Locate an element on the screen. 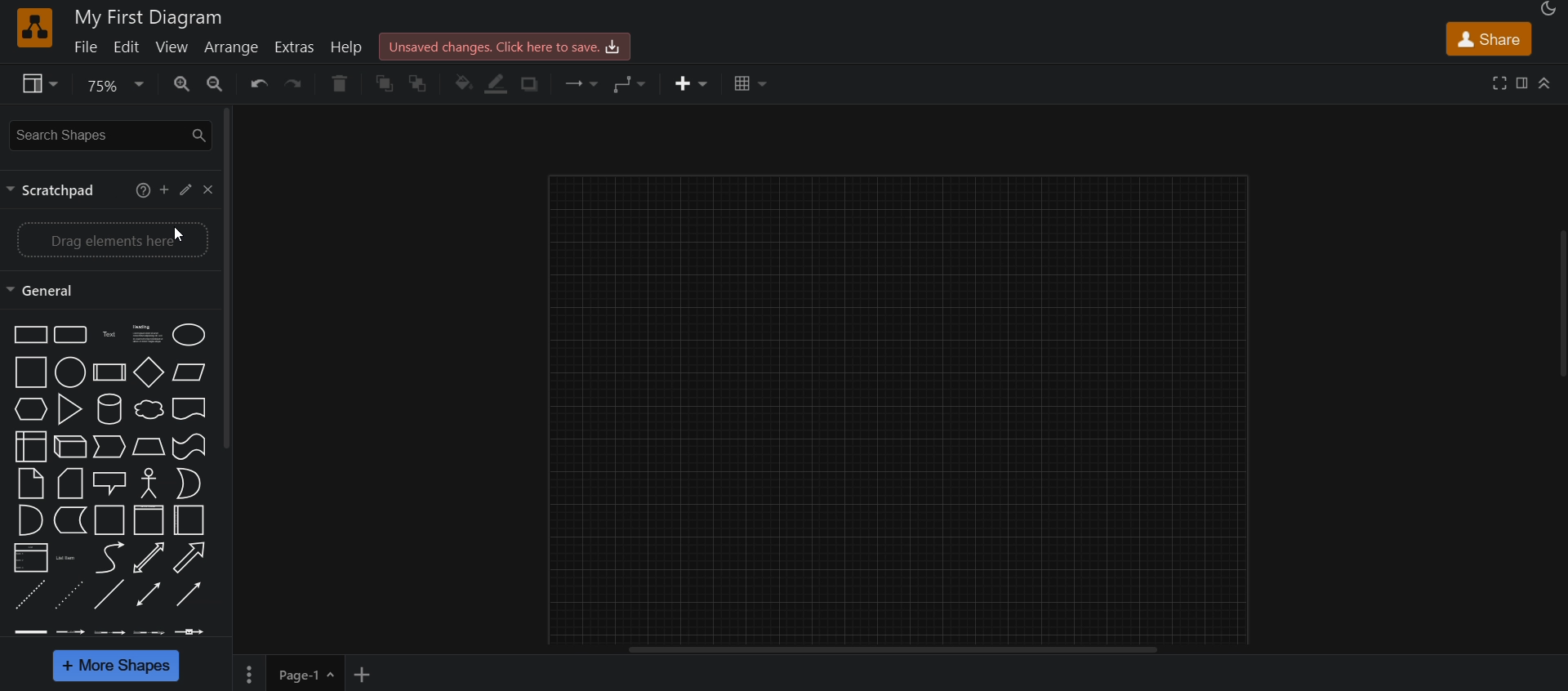 Image resolution: width=1568 pixels, height=691 pixels. shadow is located at coordinates (534, 84).